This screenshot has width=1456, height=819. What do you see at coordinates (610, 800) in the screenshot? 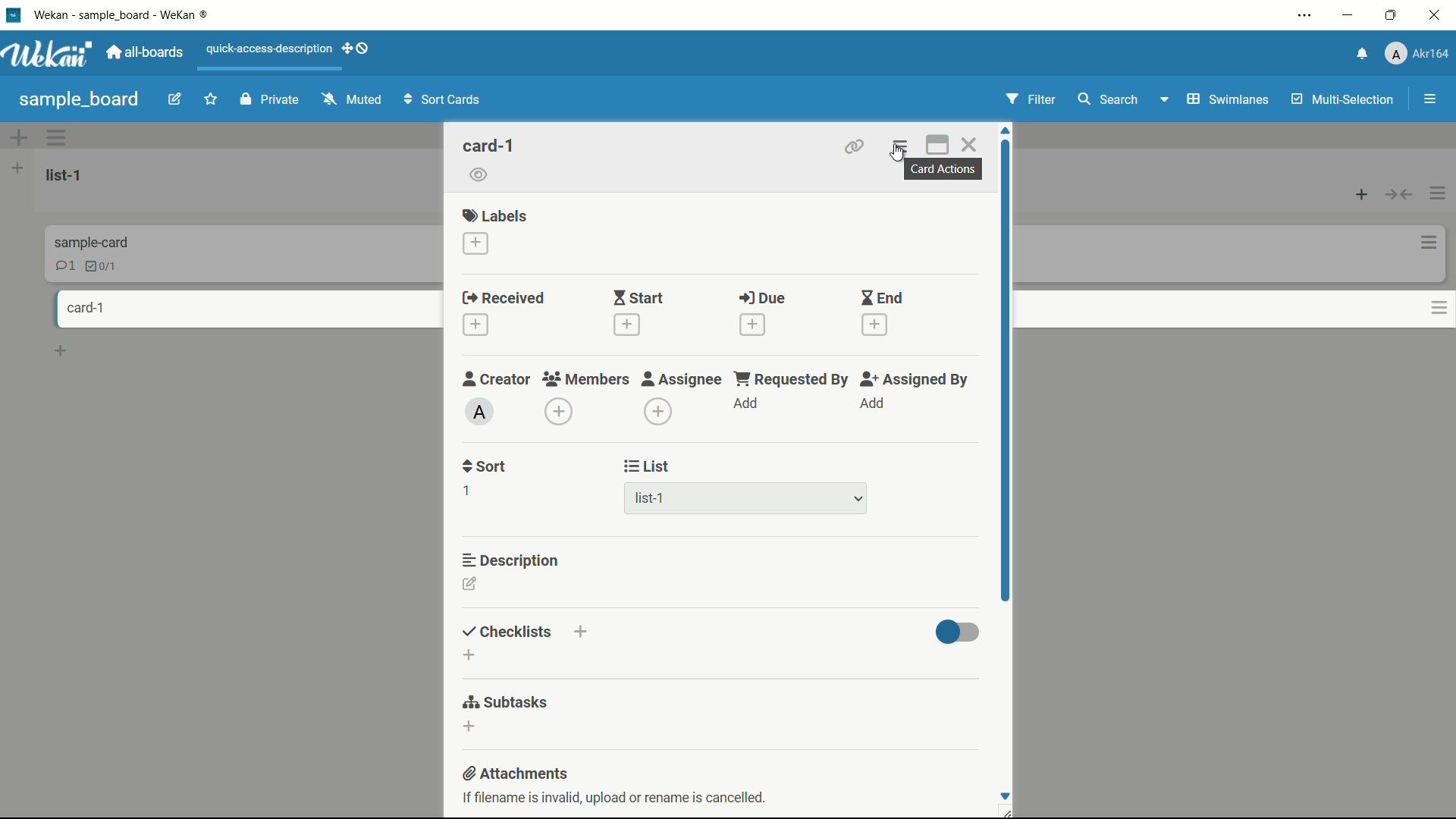
I see `if filename is invalid upload or rename is cancelled.` at bounding box center [610, 800].